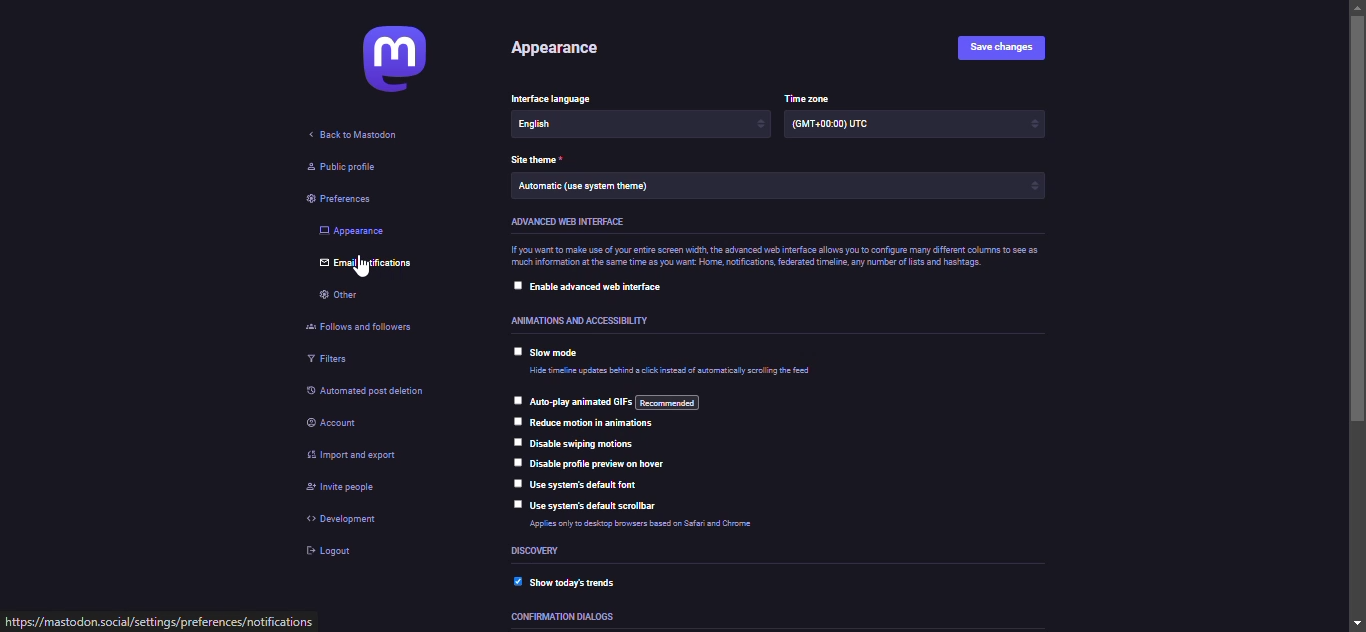 The width and height of the screenshot is (1366, 632). I want to click on accessibility, so click(591, 321).